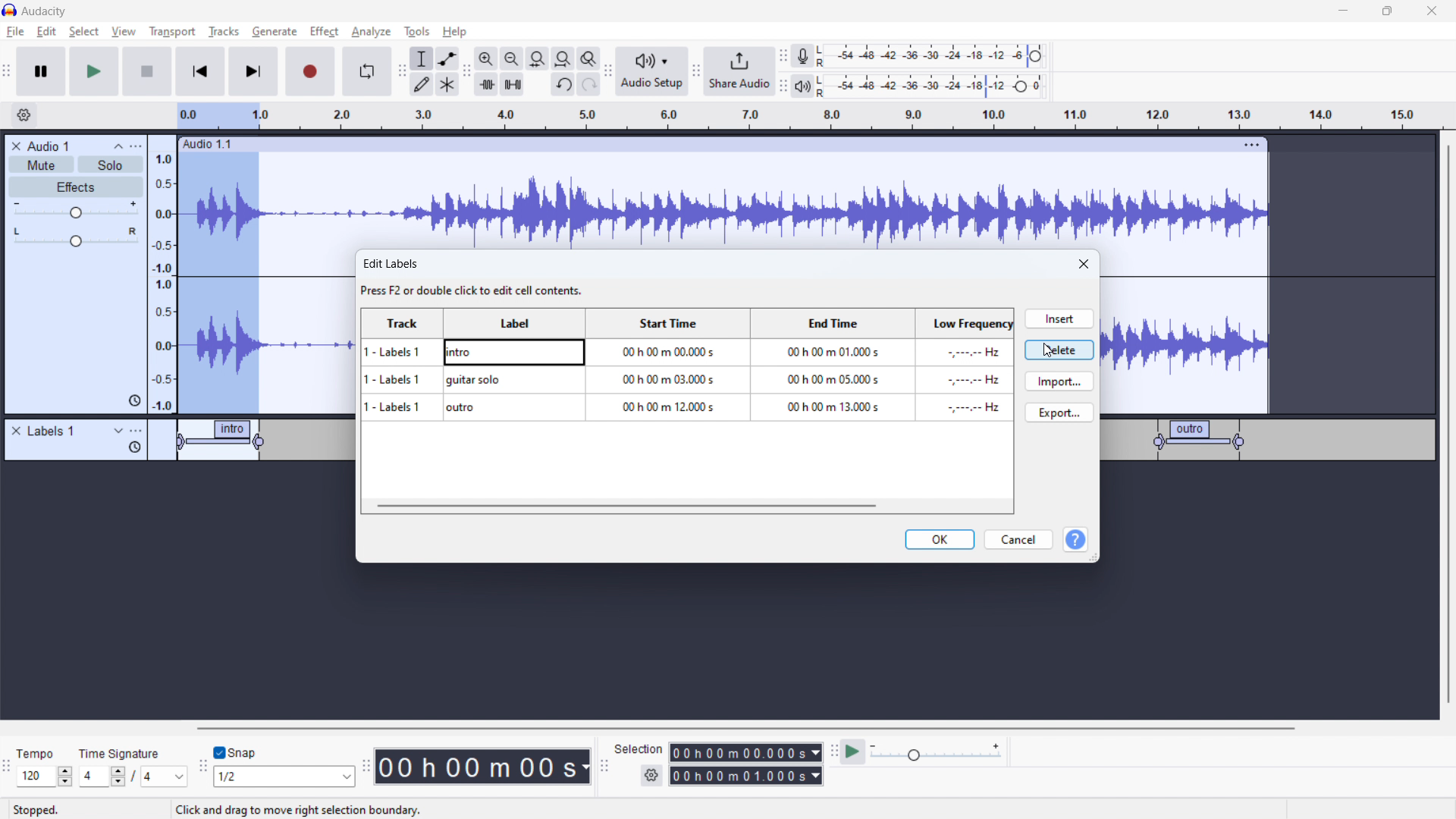 Image resolution: width=1456 pixels, height=819 pixels. What do you see at coordinates (16, 146) in the screenshot?
I see `remove track` at bounding box center [16, 146].